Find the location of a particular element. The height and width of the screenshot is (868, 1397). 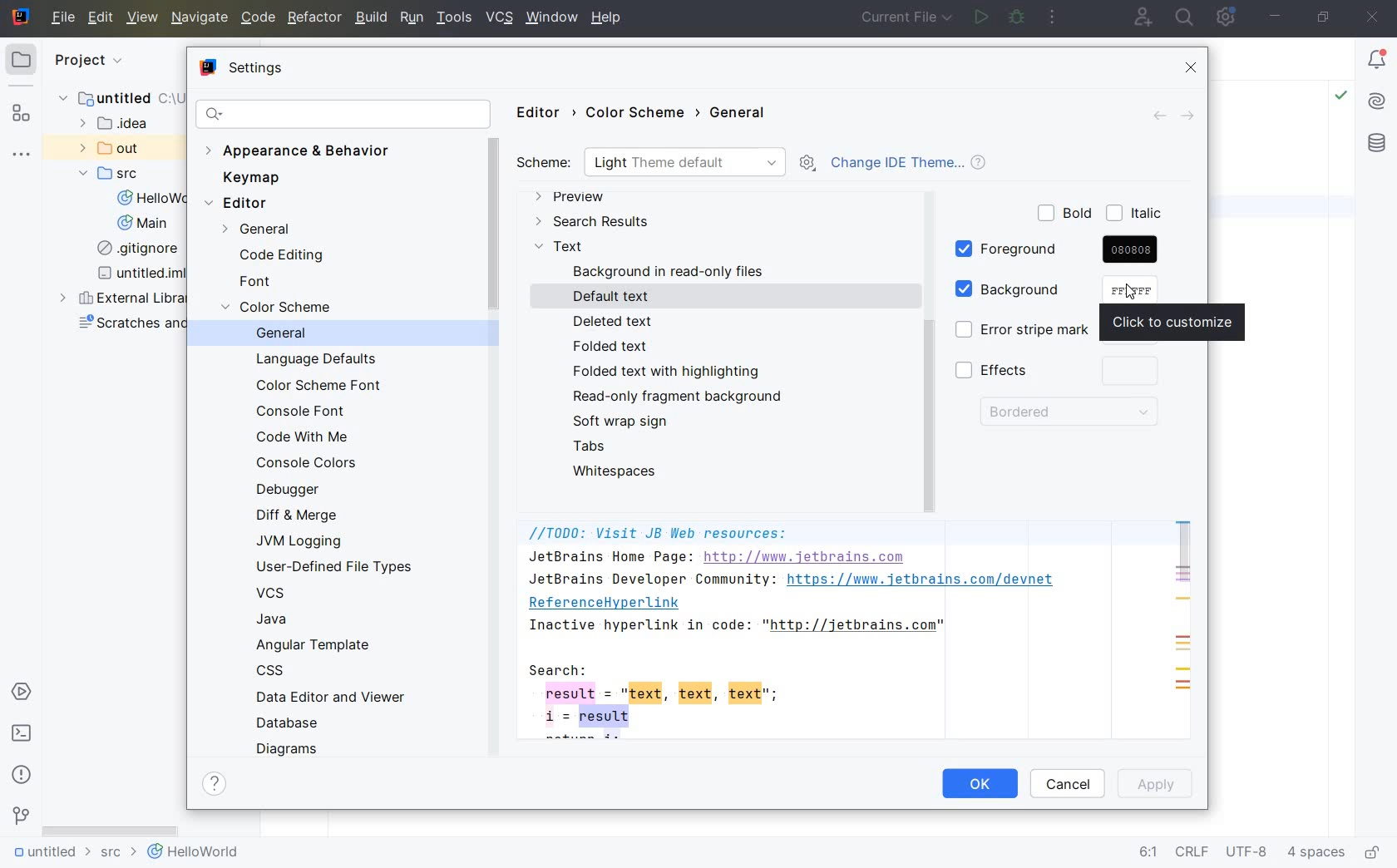

CANCEL is located at coordinates (1069, 784).